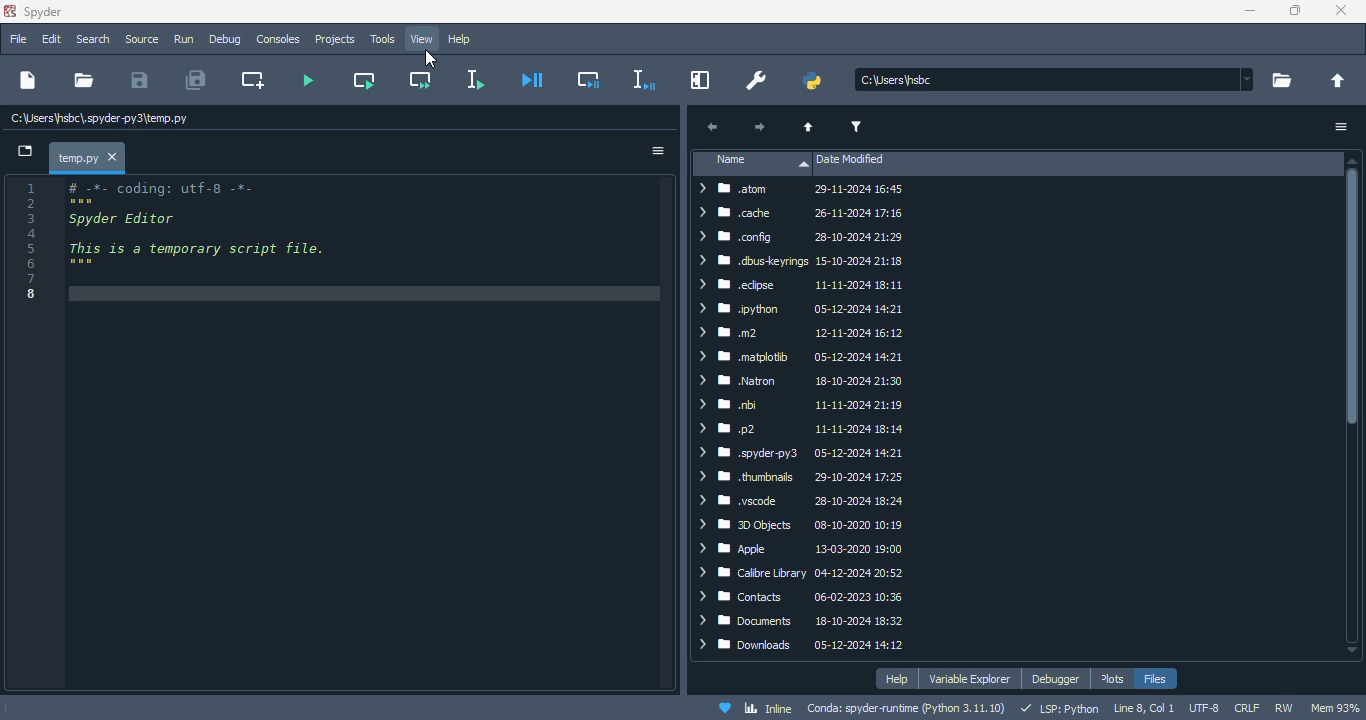 This screenshot has width=1366, height=720. Describe the element at coordinates (9, 11) in the screenshot. I see `logo` at that location.